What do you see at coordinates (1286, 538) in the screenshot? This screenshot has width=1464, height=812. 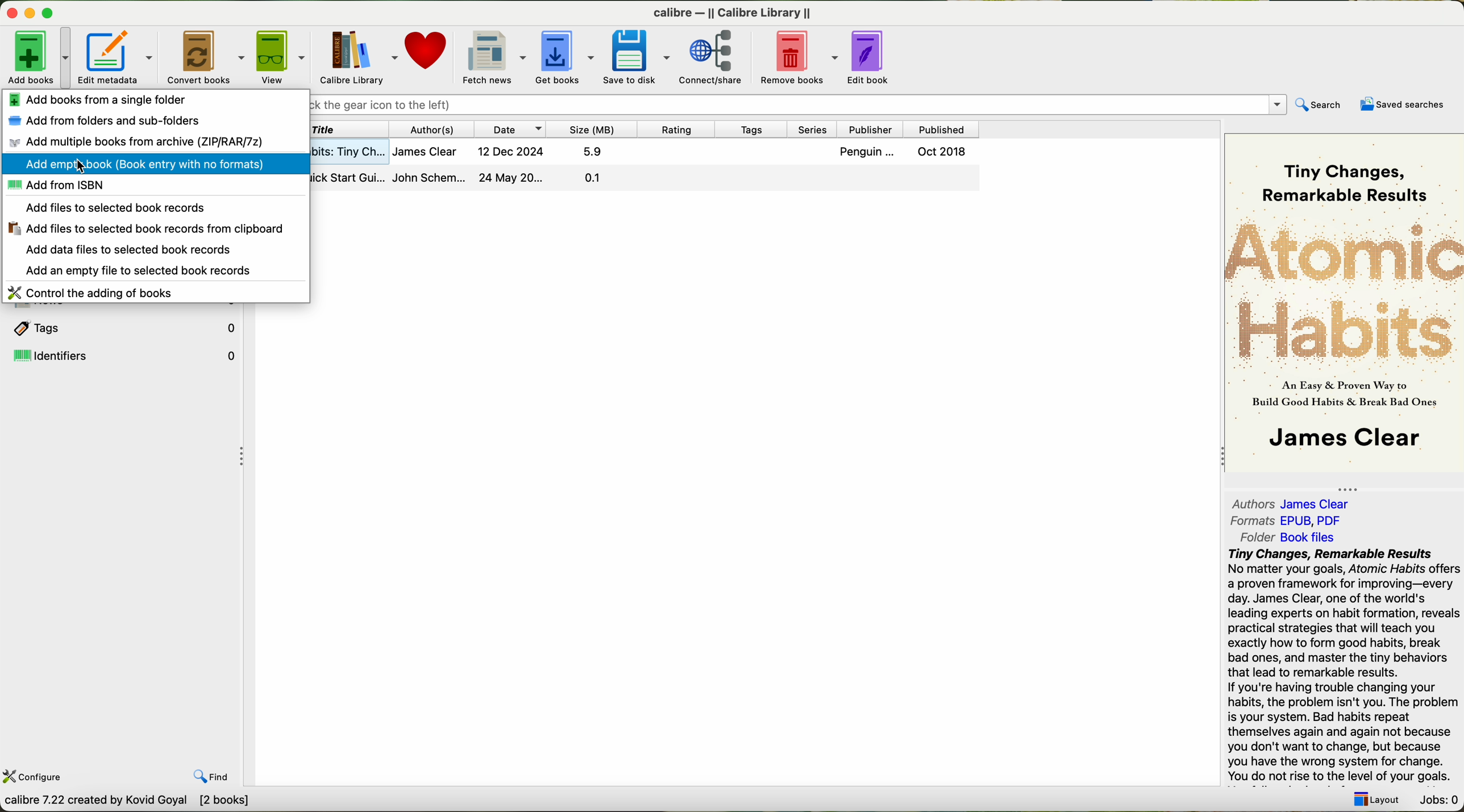 I see `folder` at bounding box center [1286, 538].